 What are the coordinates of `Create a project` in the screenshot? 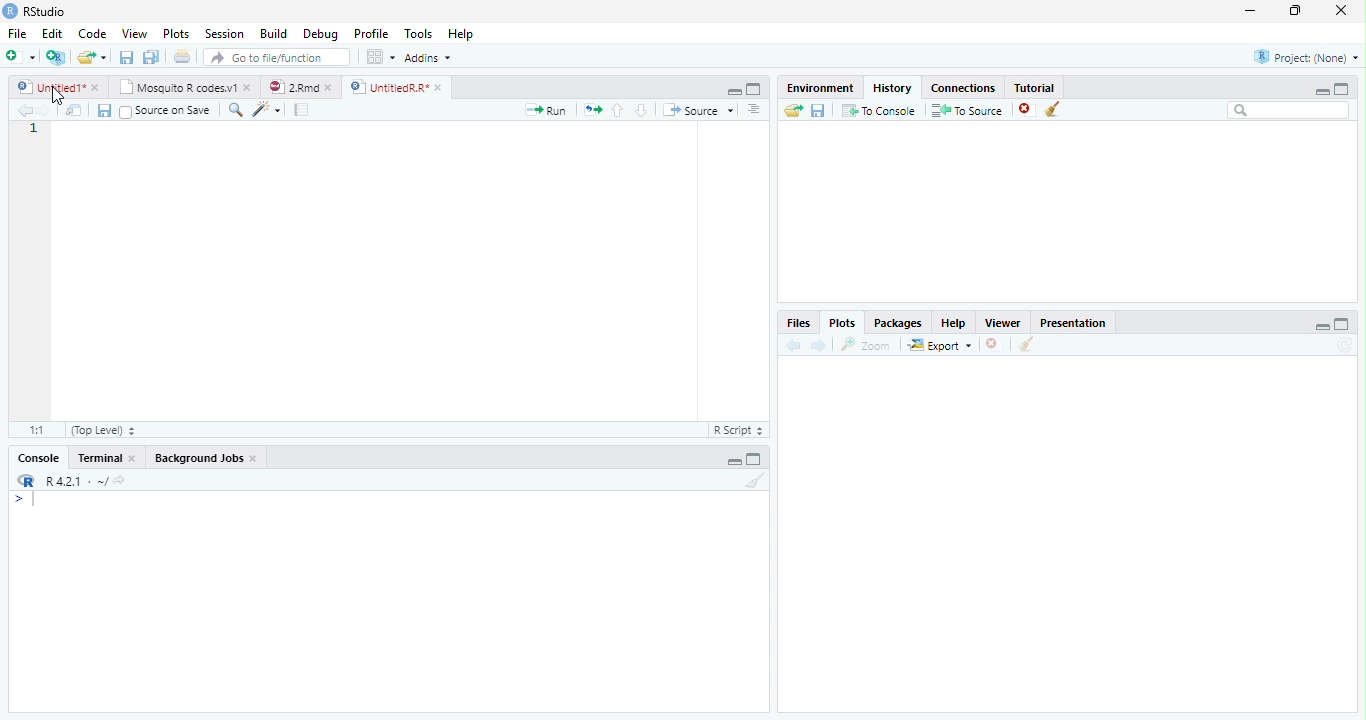 It's located at (54, 57).